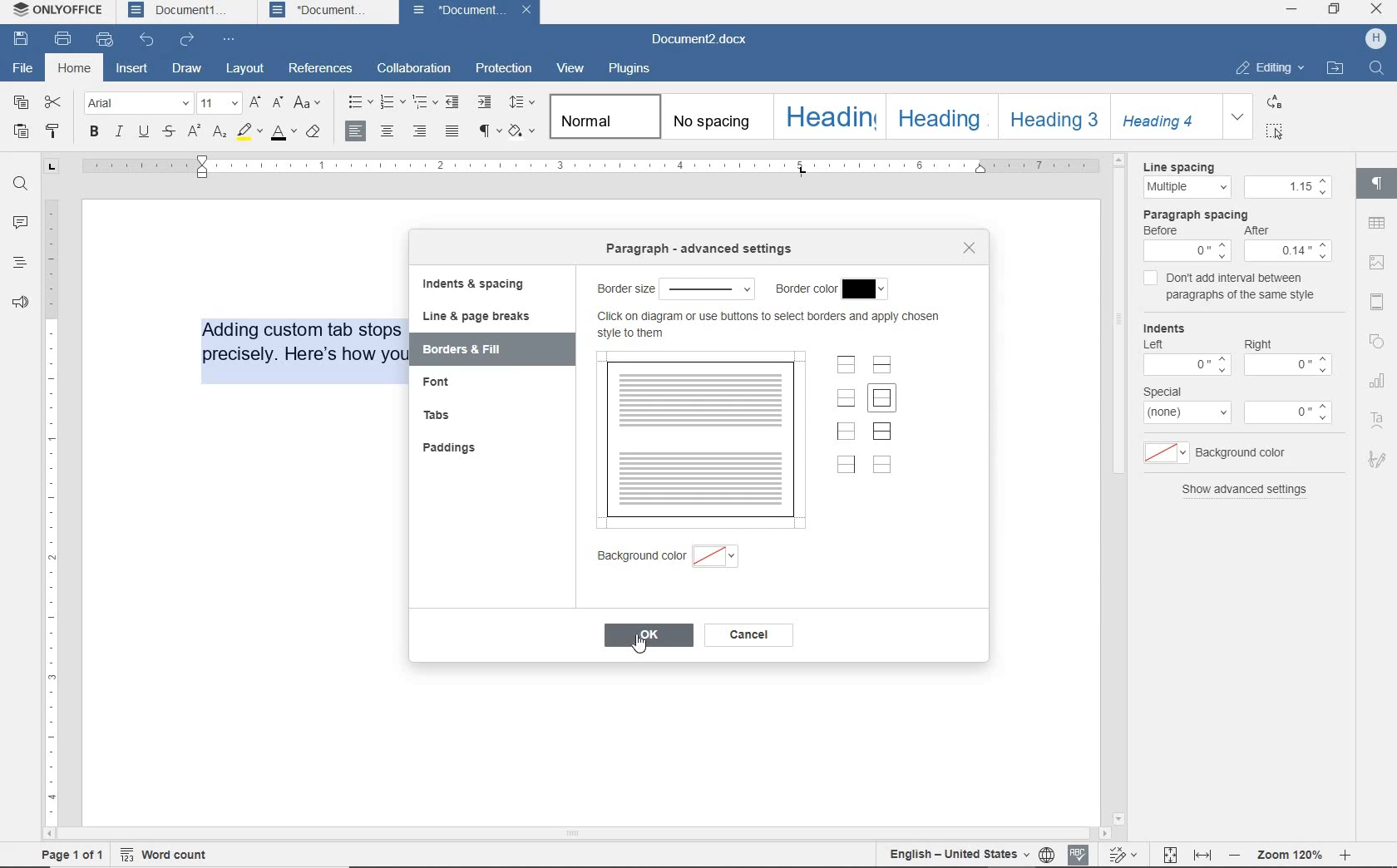 The image size is (1397, 868). I want to click on set bottom border only, so click(846, 398).